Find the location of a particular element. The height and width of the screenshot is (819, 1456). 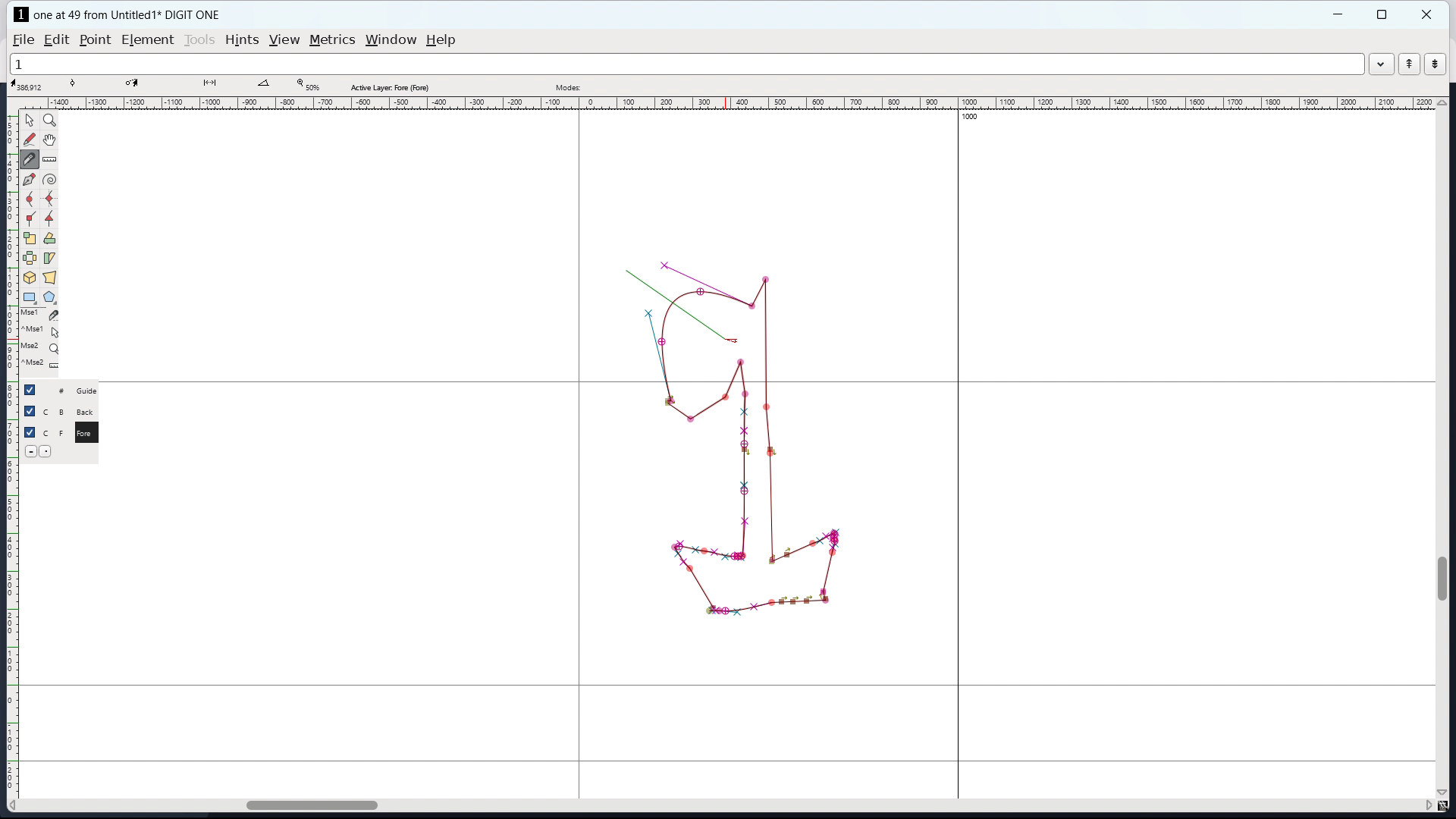

guide is located at coordinates (91, 391).